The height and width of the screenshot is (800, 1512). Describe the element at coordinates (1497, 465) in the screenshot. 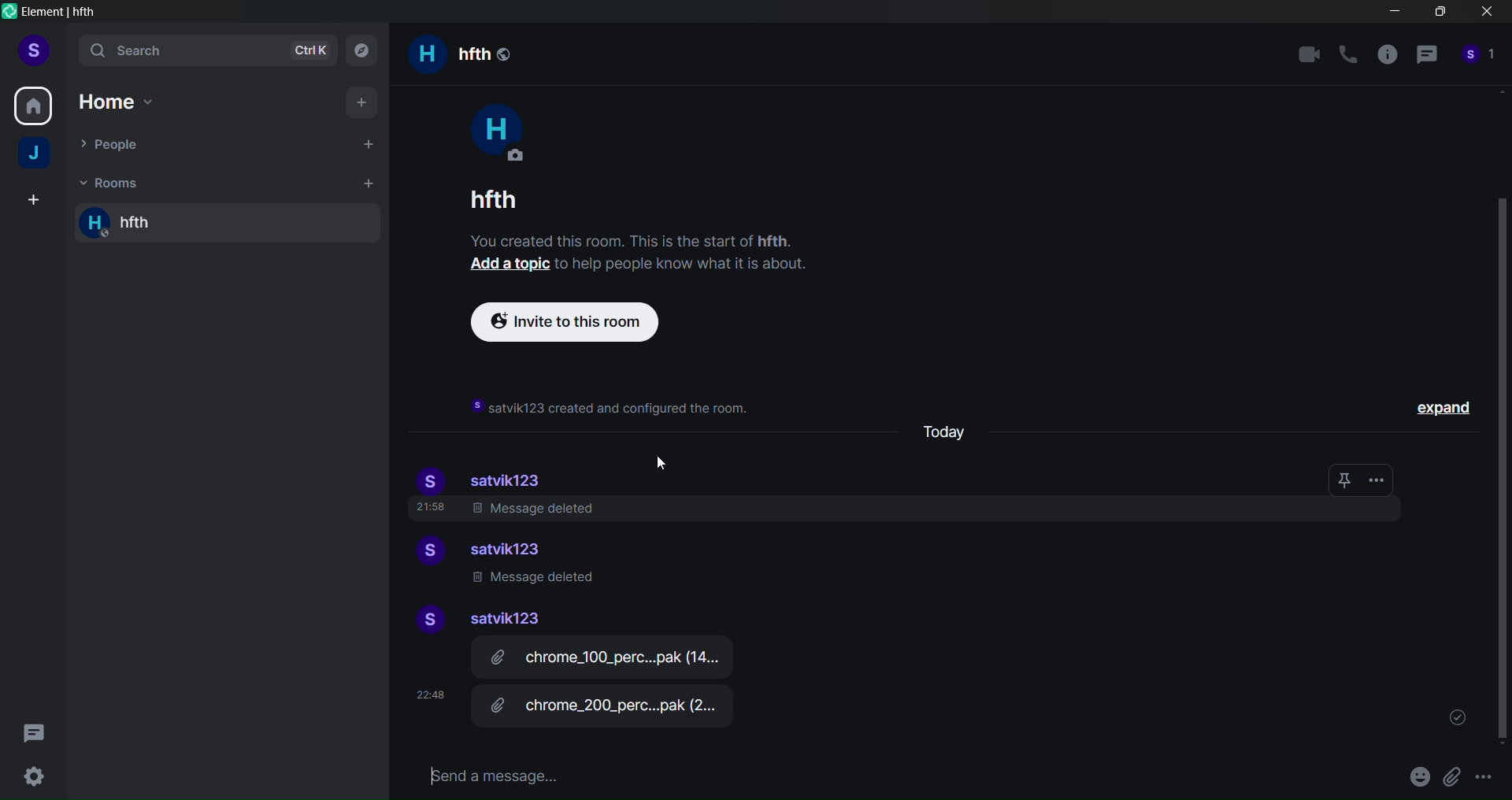

I see `scroll bar` at that location.